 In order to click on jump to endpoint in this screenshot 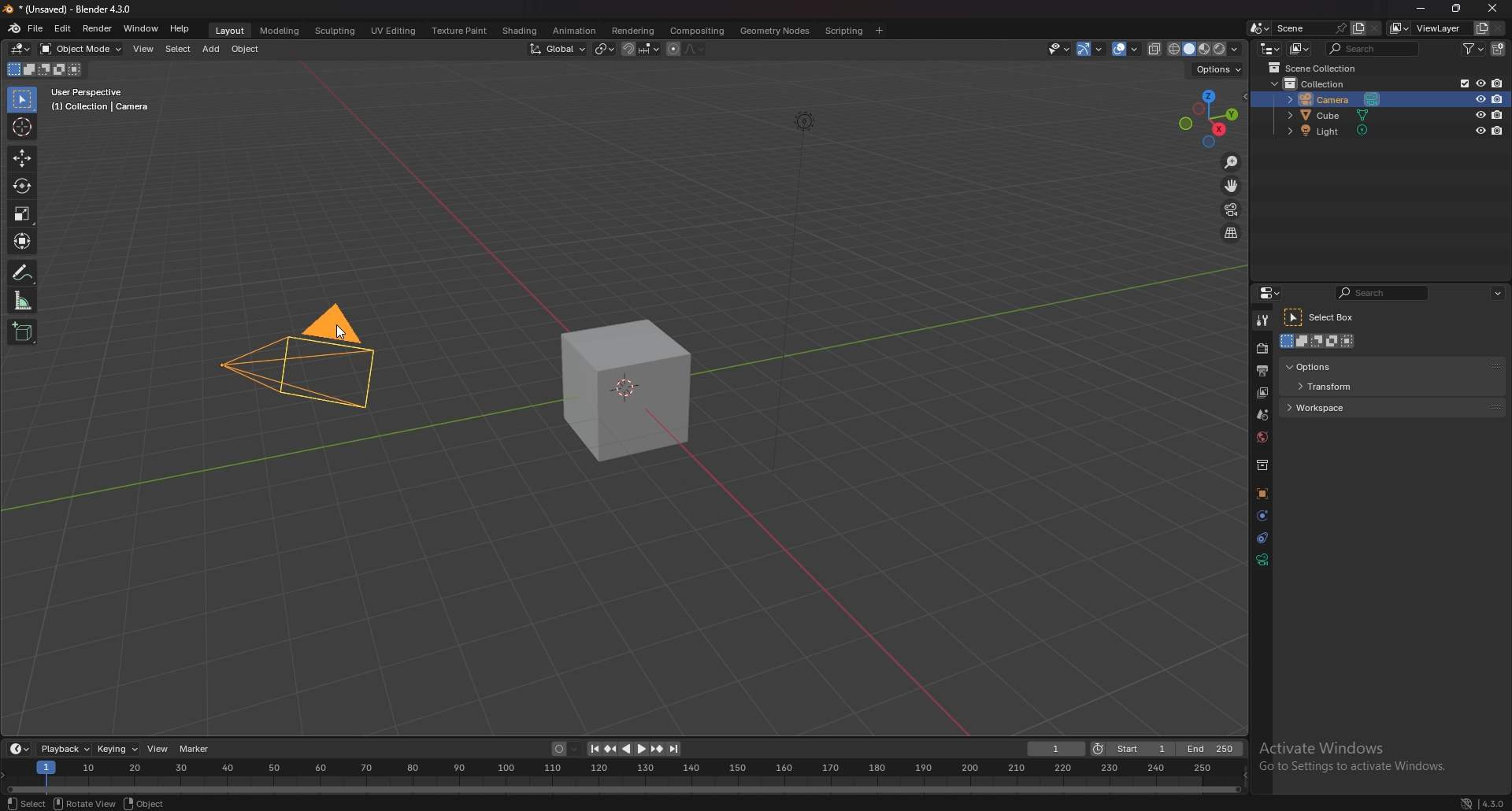, I will do `click(675, 749)`.